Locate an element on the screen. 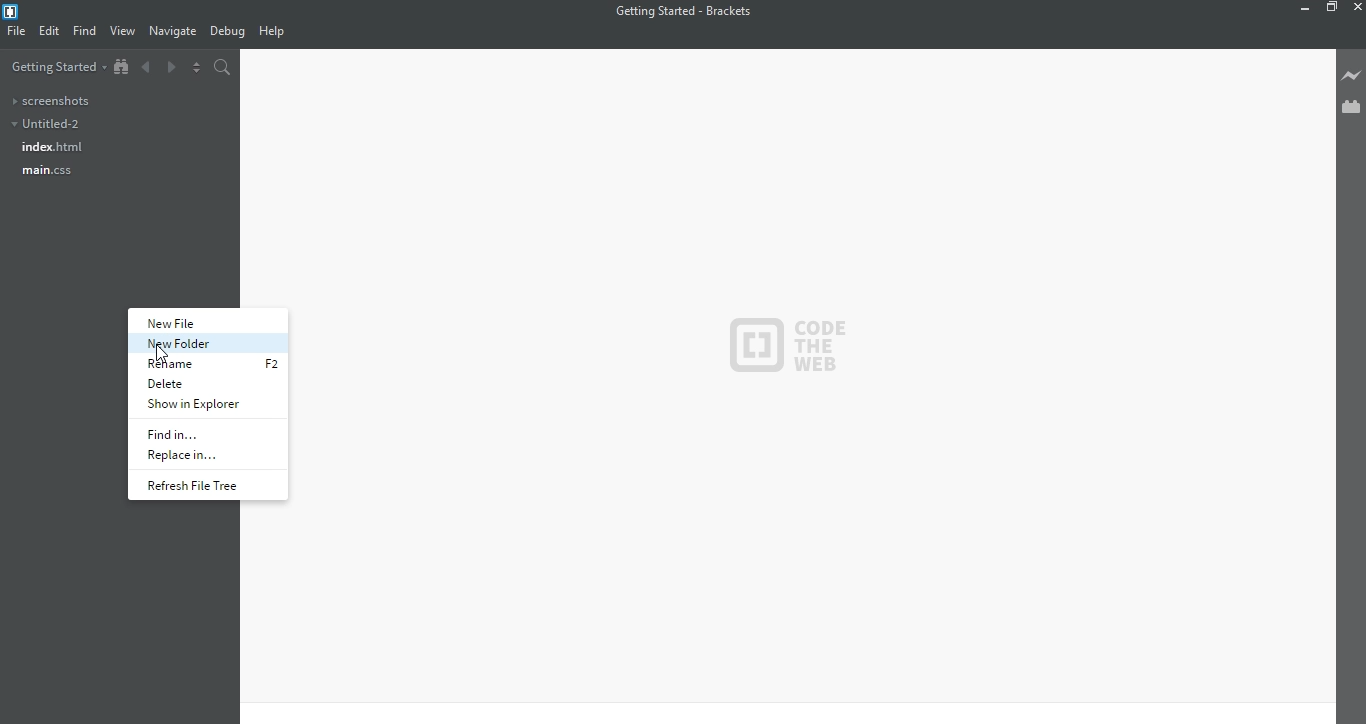 The height and width of the screenshot is (724, 1366). edit is located at coordinates (52, 32).